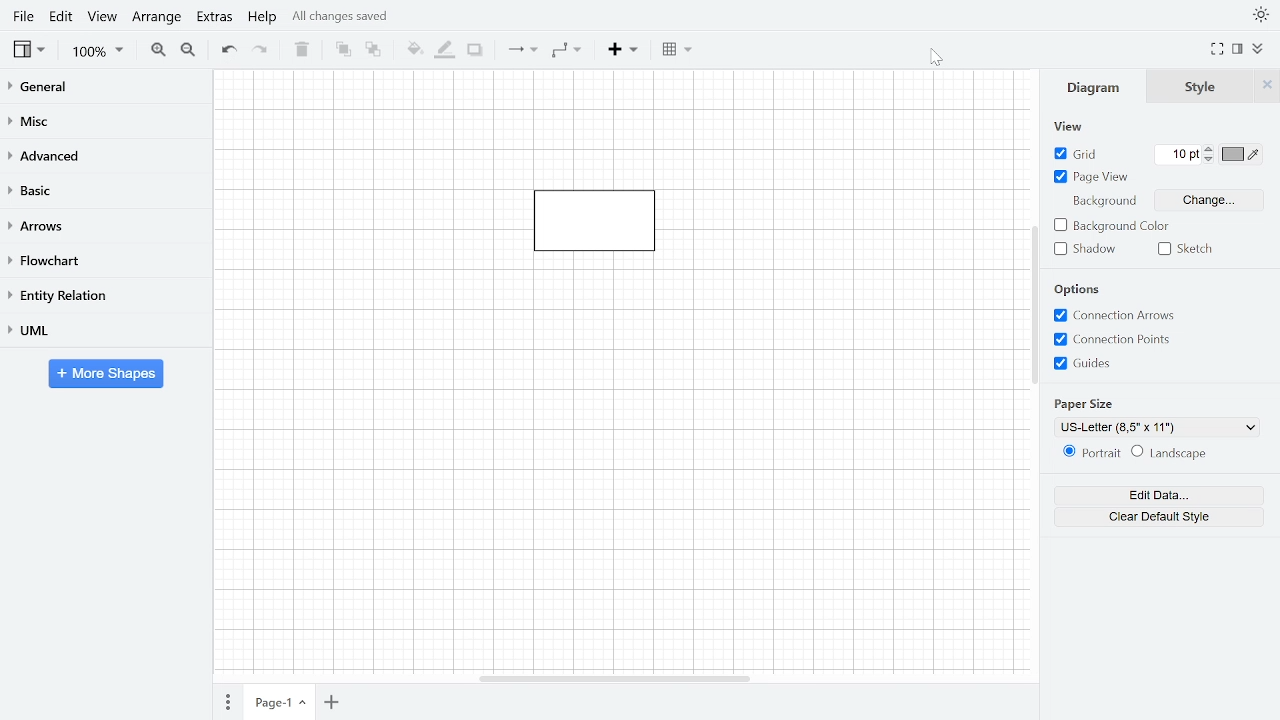 This screenshot has width=1280, height=720. Describe the element at coordinates (1210, 148) in the screenshot. I see `iNCREASE GRID PT` at that location.